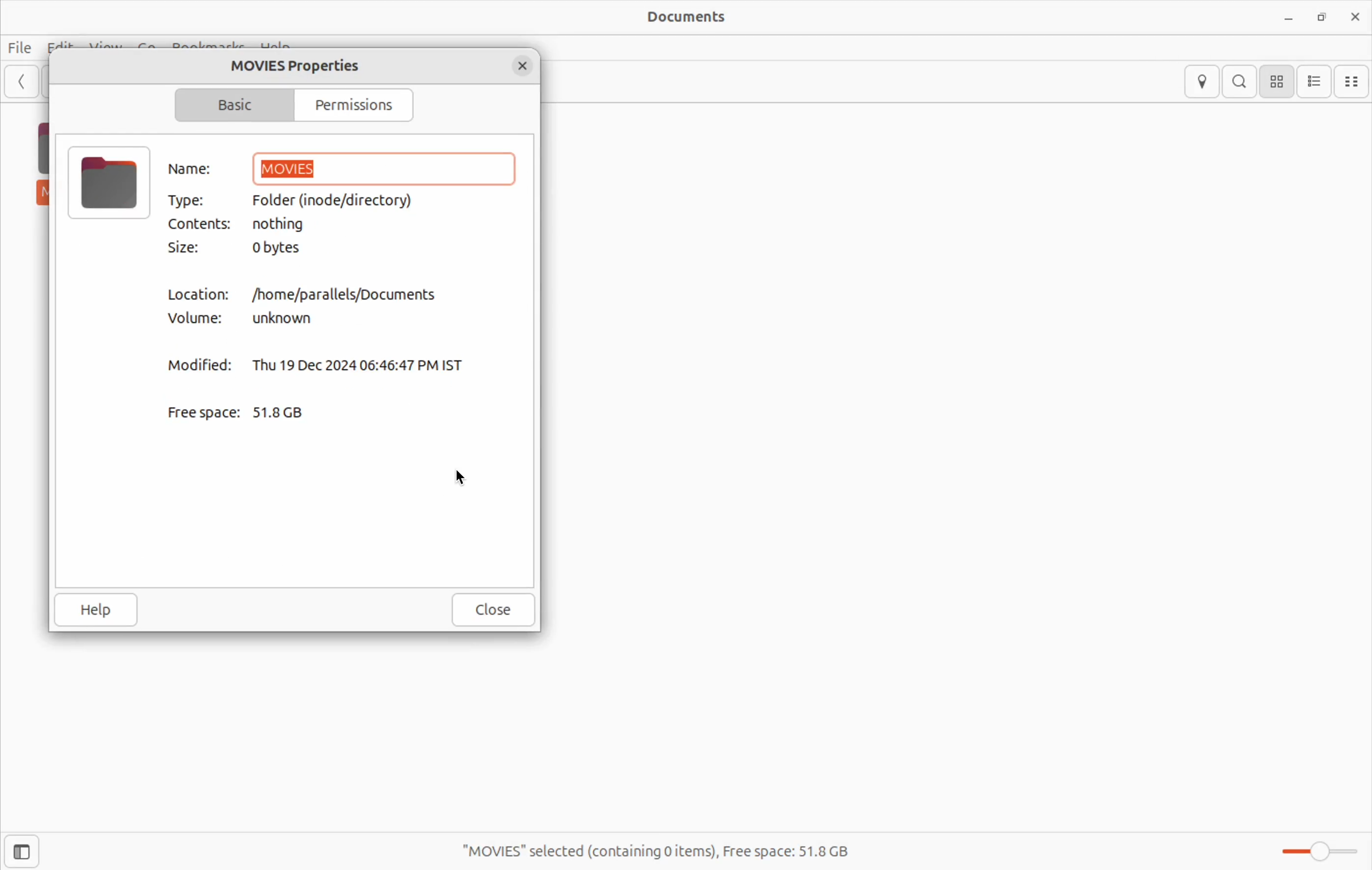  I want to click on Size, so click(186, 248).